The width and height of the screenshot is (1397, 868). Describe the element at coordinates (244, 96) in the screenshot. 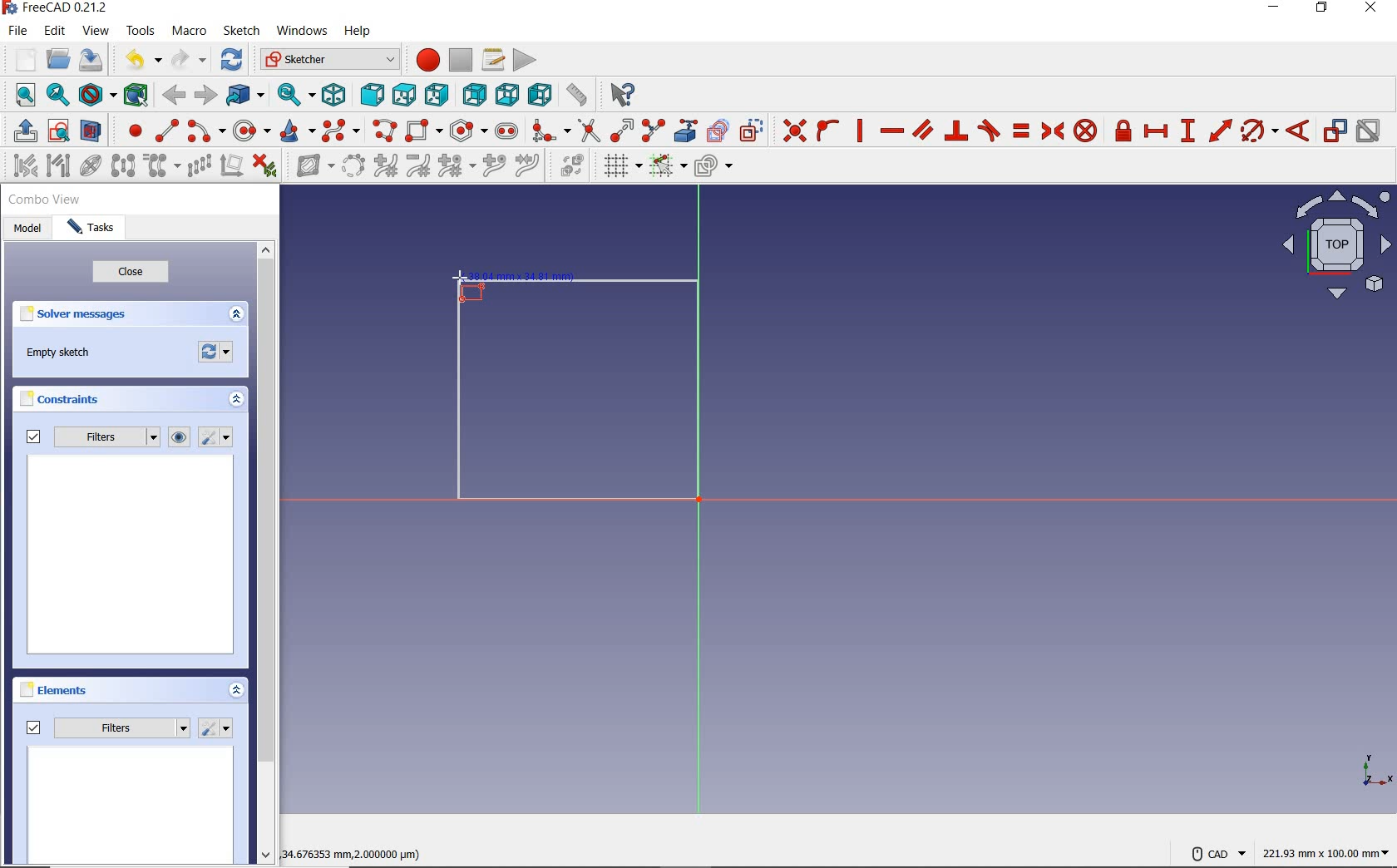

I see `go to linked object` at that location.